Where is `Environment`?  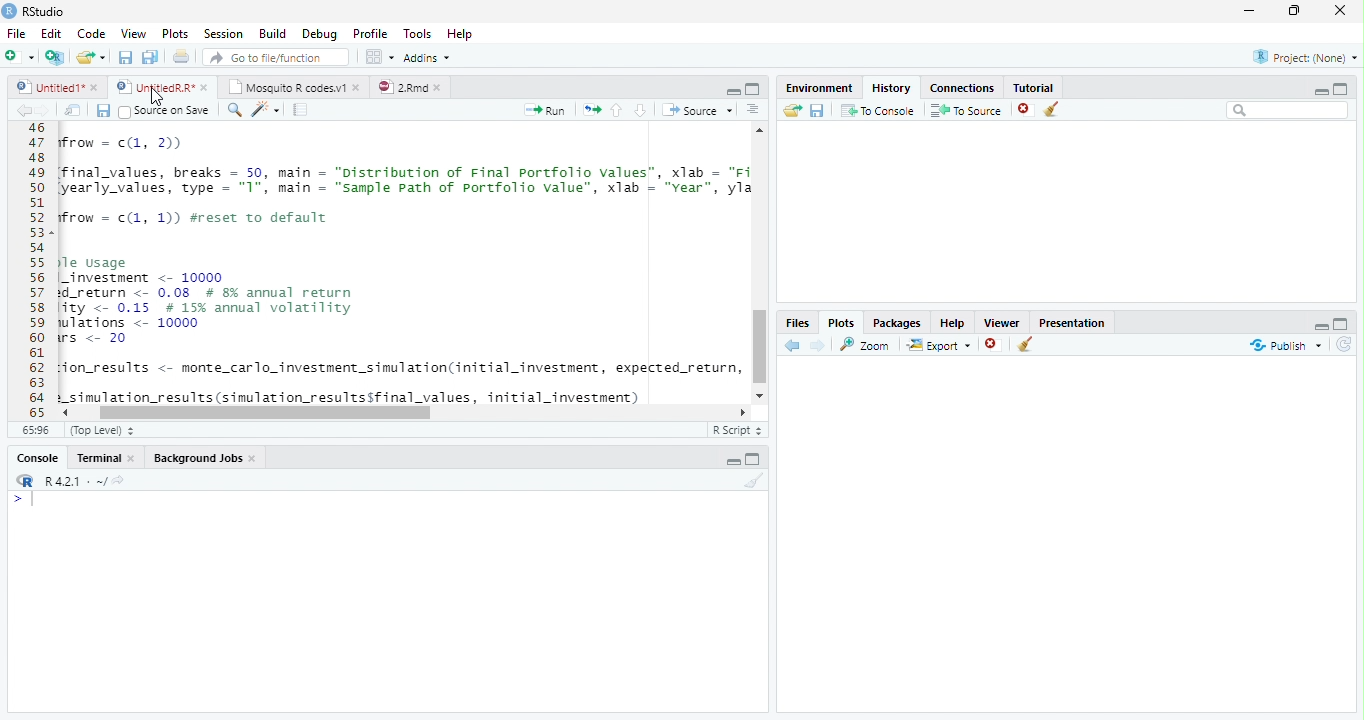
Environment is located at coordinates (819, 85).